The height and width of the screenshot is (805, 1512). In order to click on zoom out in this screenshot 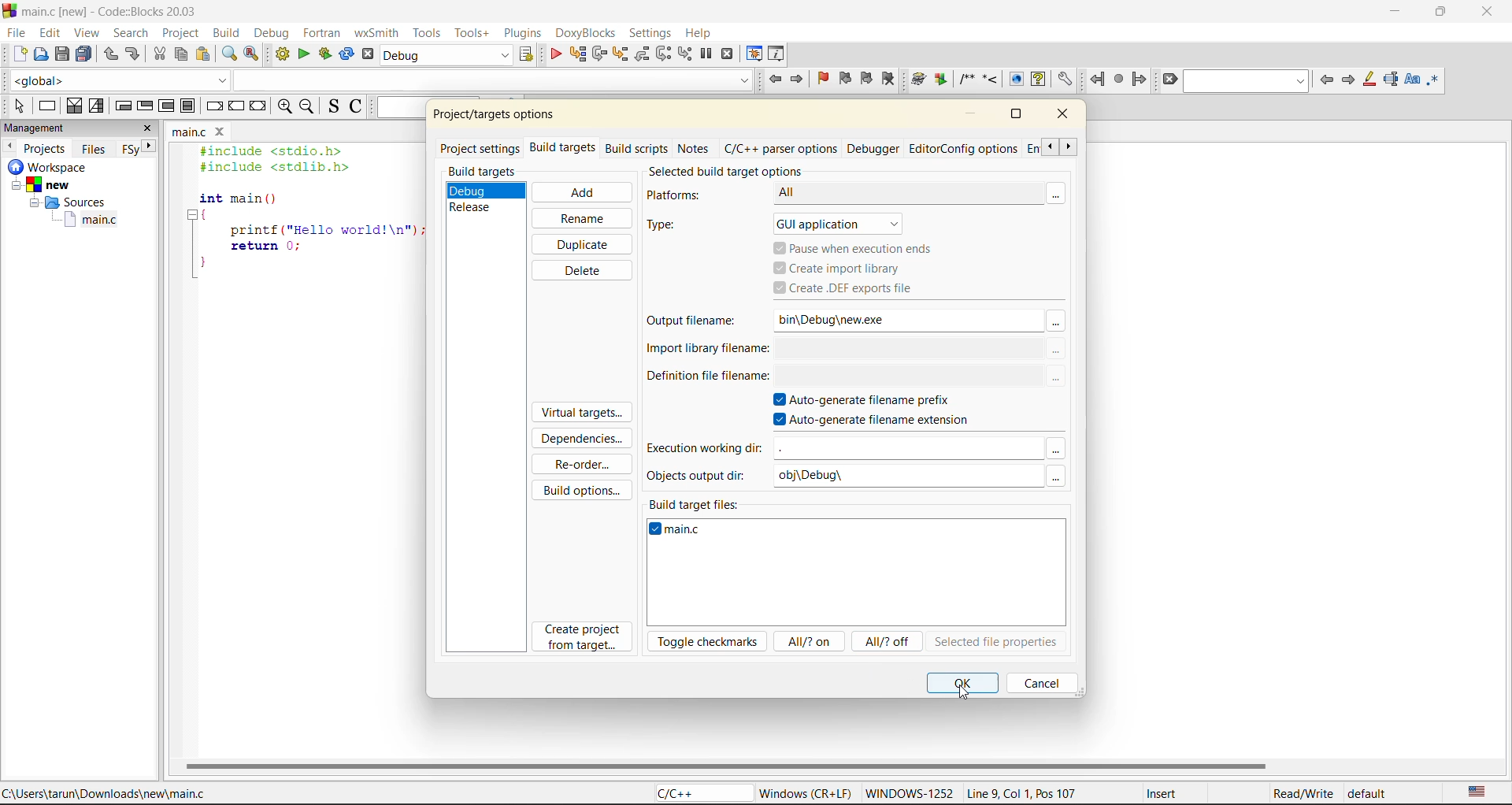, I will do `click(311, 107)`.